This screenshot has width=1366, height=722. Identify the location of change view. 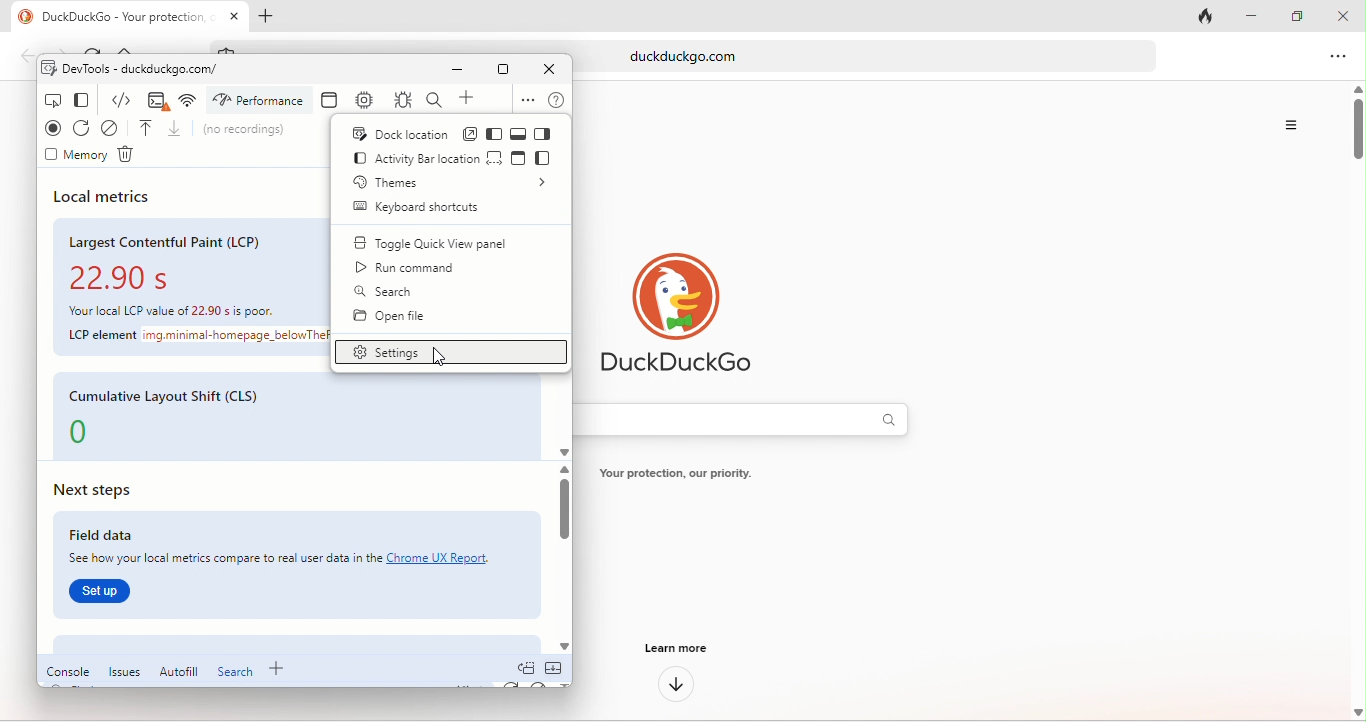
(83, 99).